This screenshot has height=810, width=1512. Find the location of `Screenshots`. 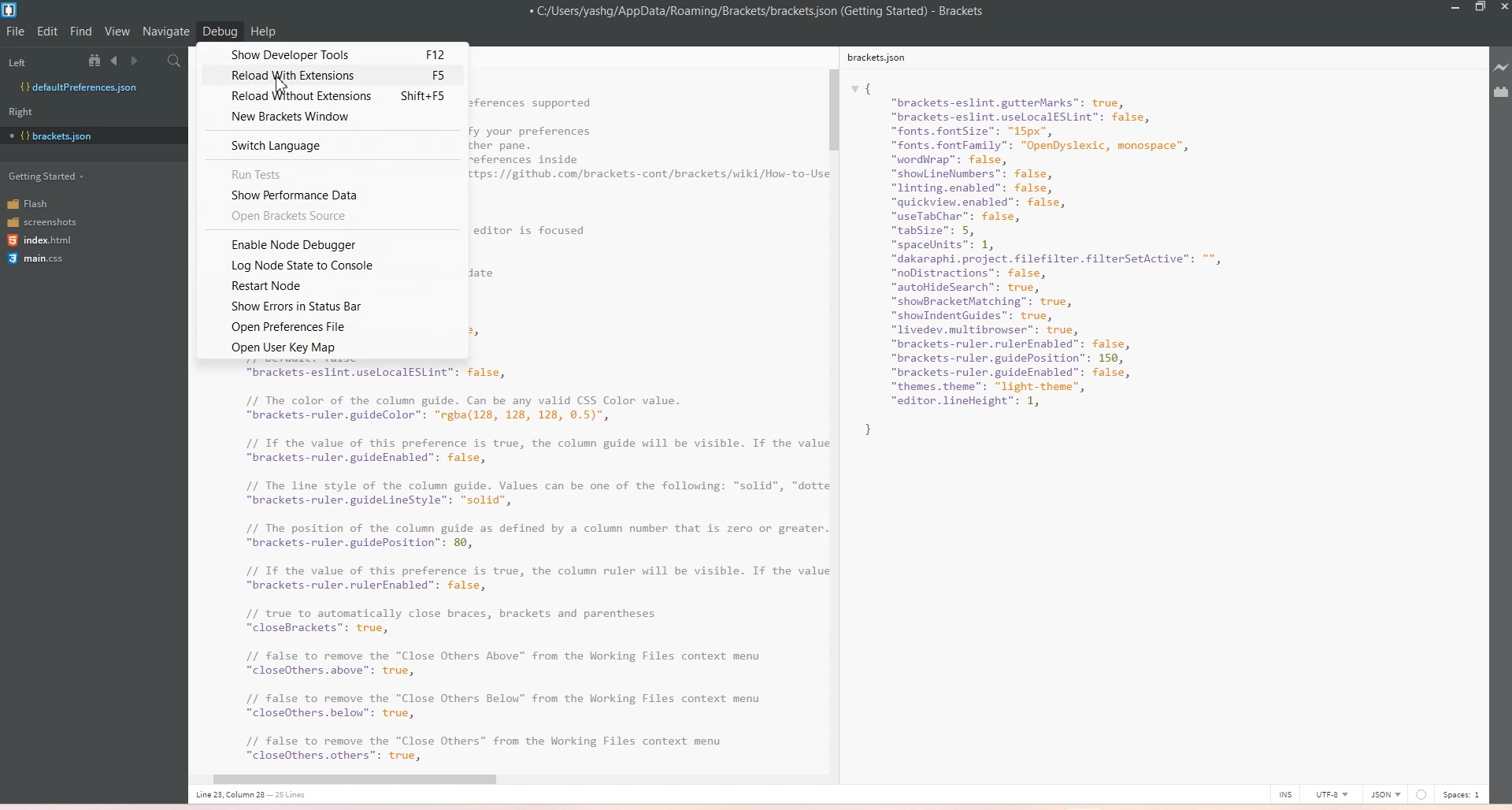

Screenshots is located at coordinates (42, 221).